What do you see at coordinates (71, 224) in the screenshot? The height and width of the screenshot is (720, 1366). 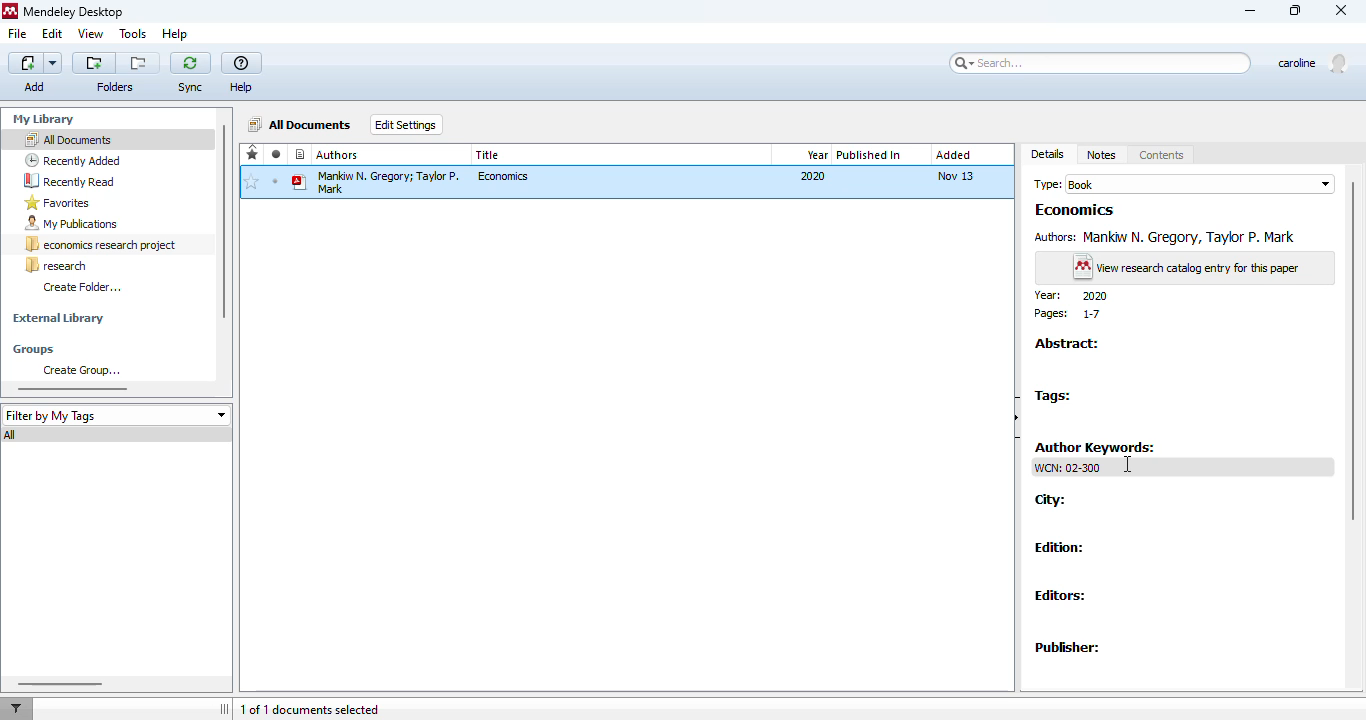 I see `my publications` at bounding box center [71, 224].